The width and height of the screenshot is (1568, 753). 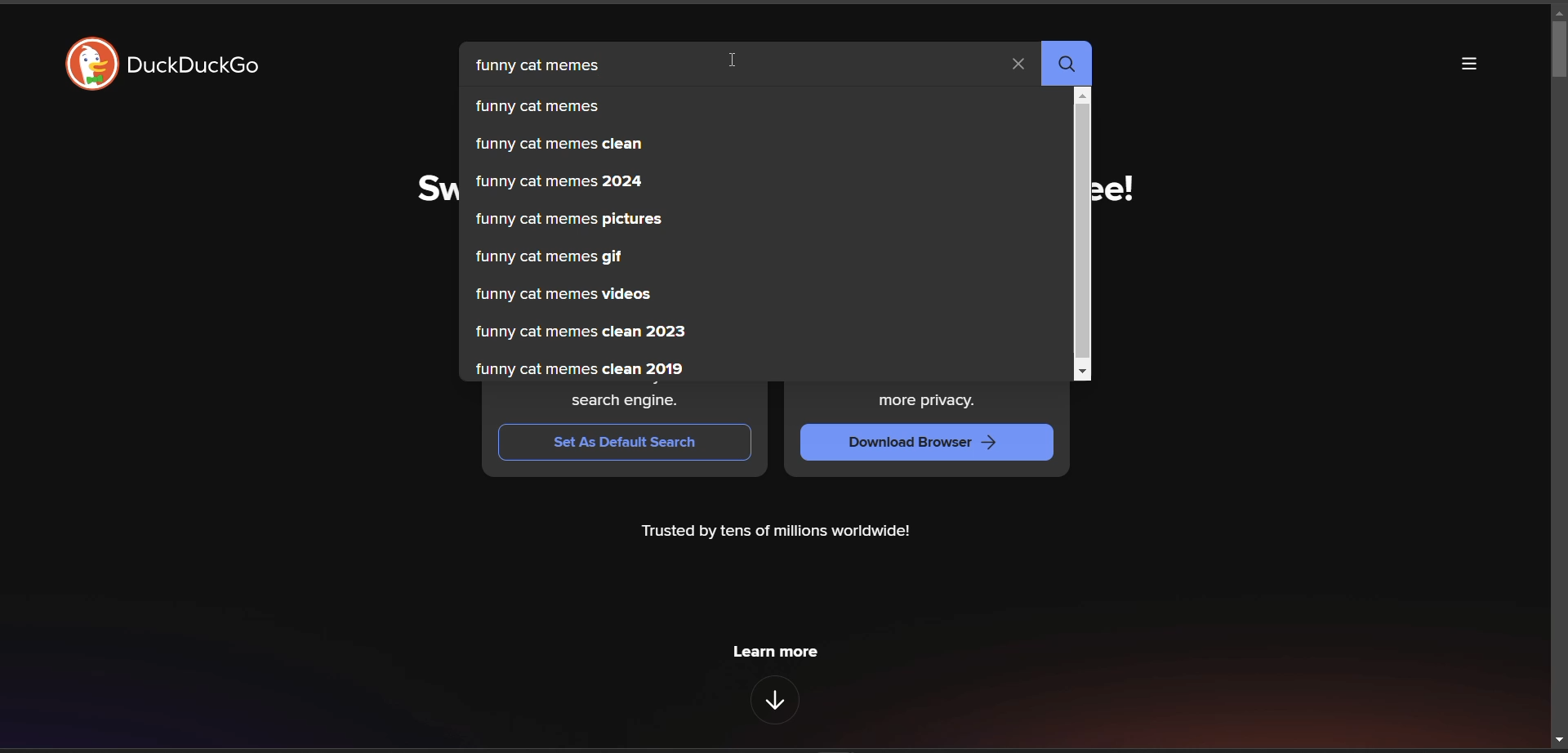 I want to click on Learn more, so click(x=777, y=653).